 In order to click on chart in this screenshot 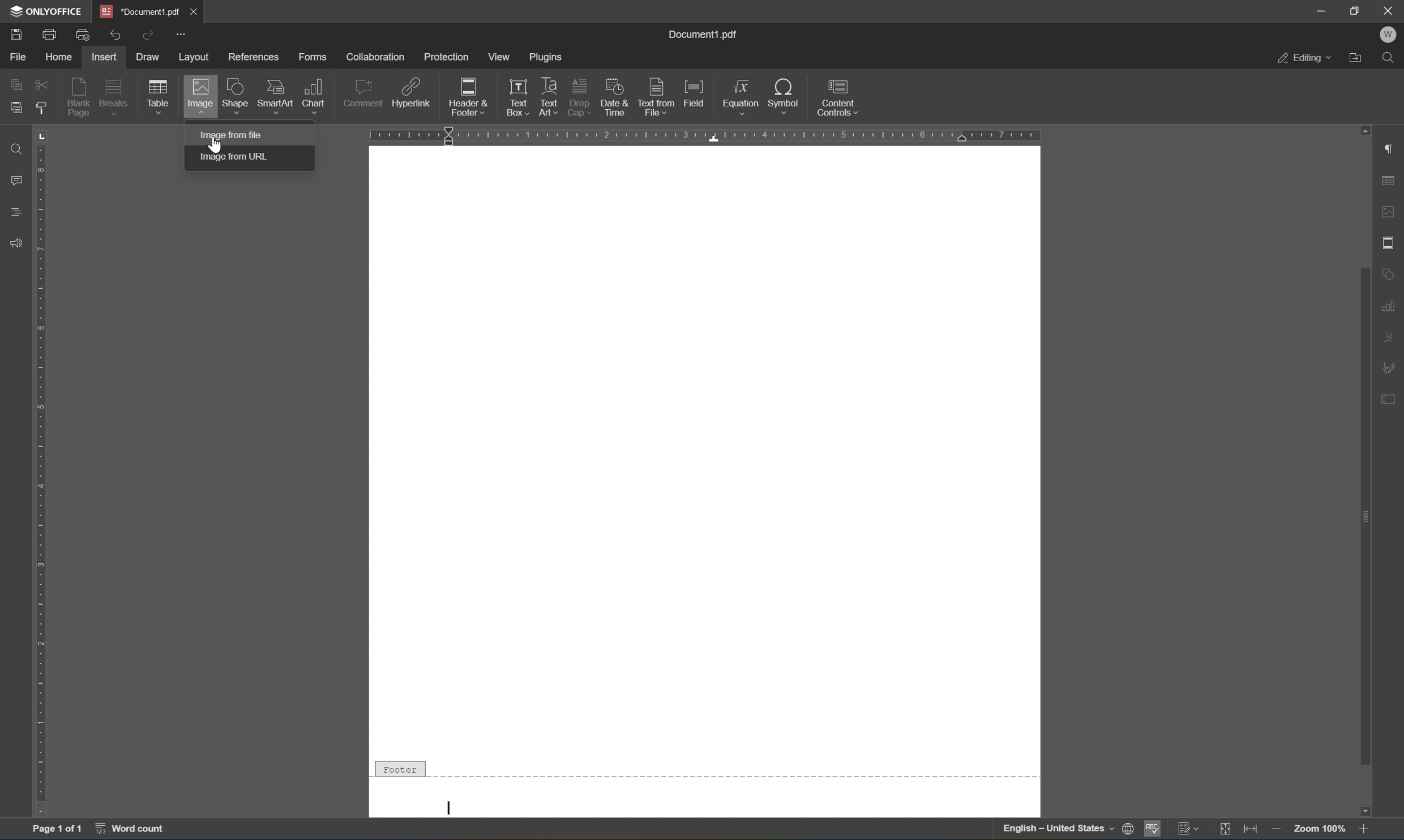, I will do `click(315, 95)`.